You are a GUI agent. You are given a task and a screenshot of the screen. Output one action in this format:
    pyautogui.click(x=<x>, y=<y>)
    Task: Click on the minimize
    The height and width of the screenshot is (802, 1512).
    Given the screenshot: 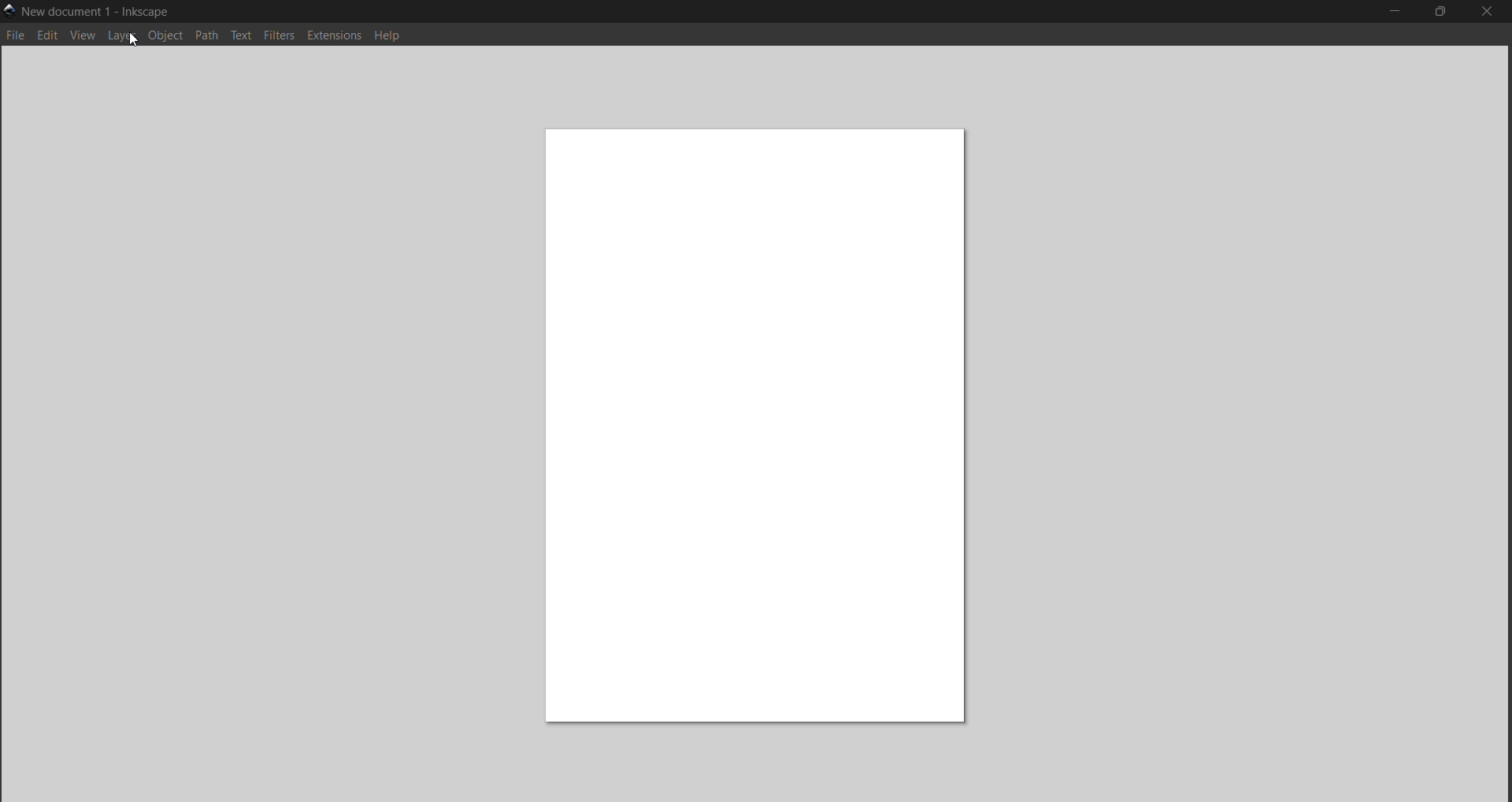 What is the action you would take?
    pyautogui.click(x=1394, y=10)
    